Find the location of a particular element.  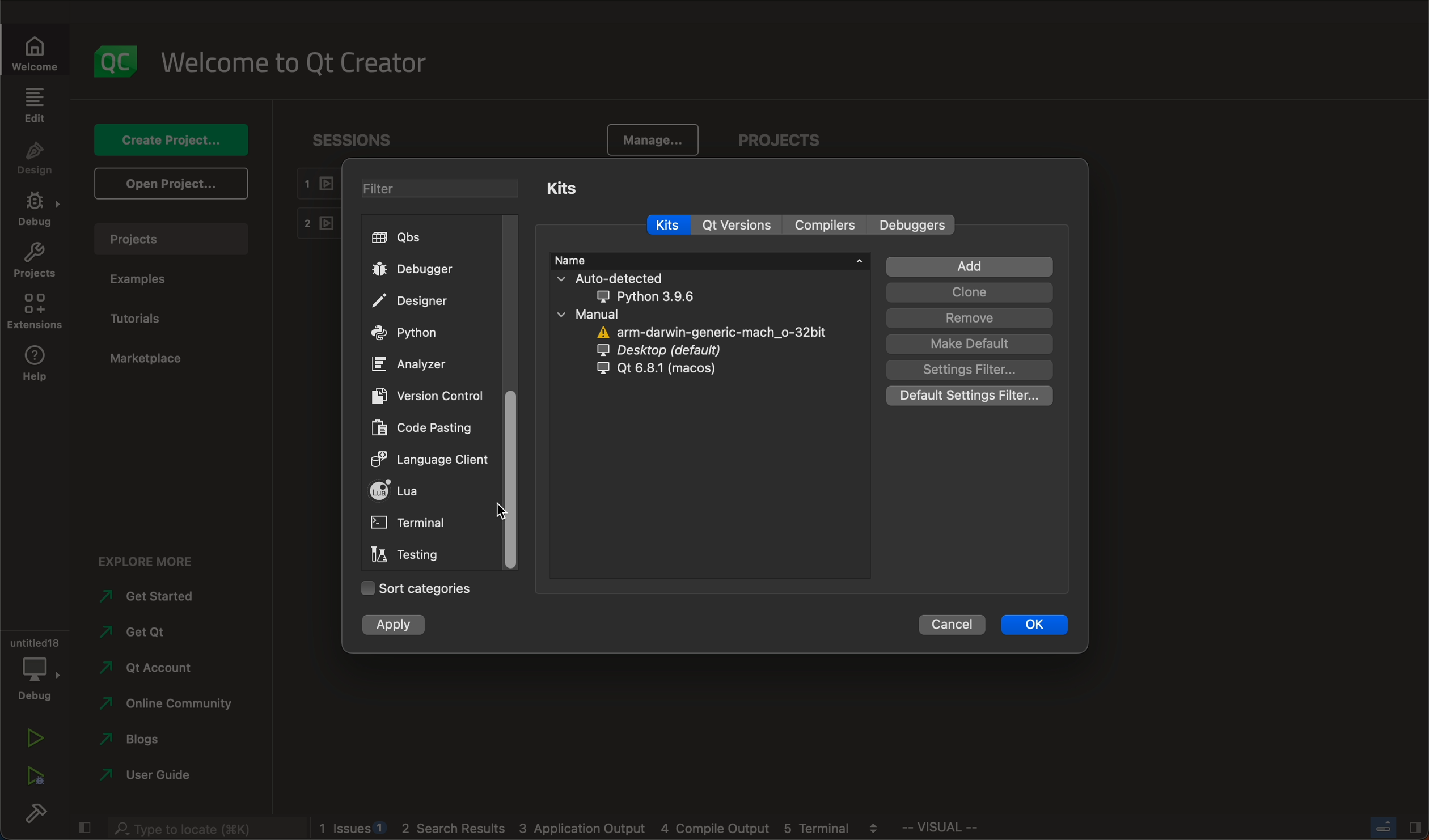

analyzer is located at coordinates (412, 366).